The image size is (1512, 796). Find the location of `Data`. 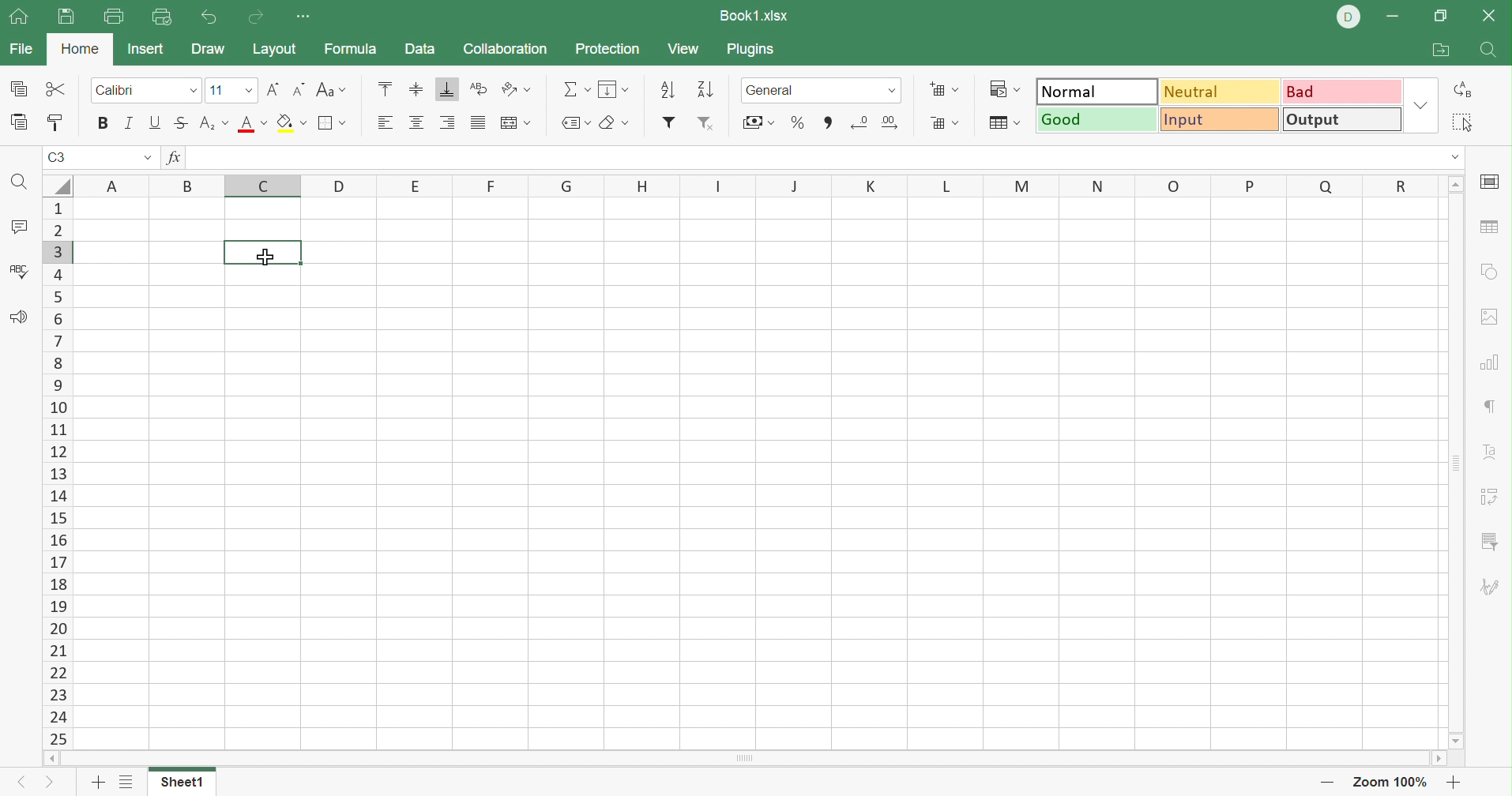

Data is located at coordinates (418, 48).